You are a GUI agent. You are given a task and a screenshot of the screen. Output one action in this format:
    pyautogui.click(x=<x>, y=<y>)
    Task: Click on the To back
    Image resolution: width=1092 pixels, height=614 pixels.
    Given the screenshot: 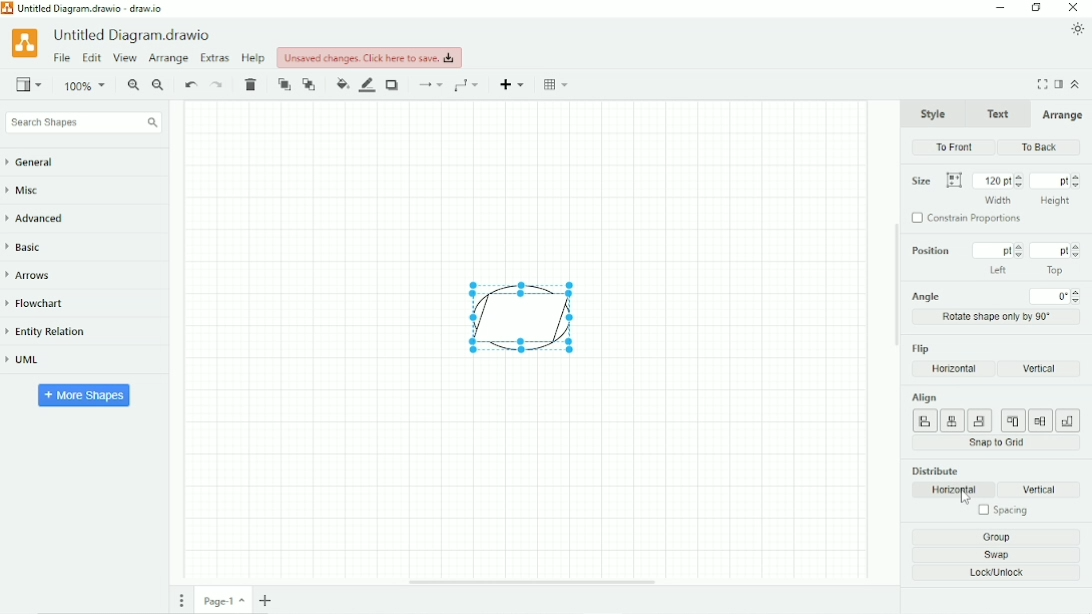 What is the action you would take?
    pyautogui.click(x=310, y=84)
    